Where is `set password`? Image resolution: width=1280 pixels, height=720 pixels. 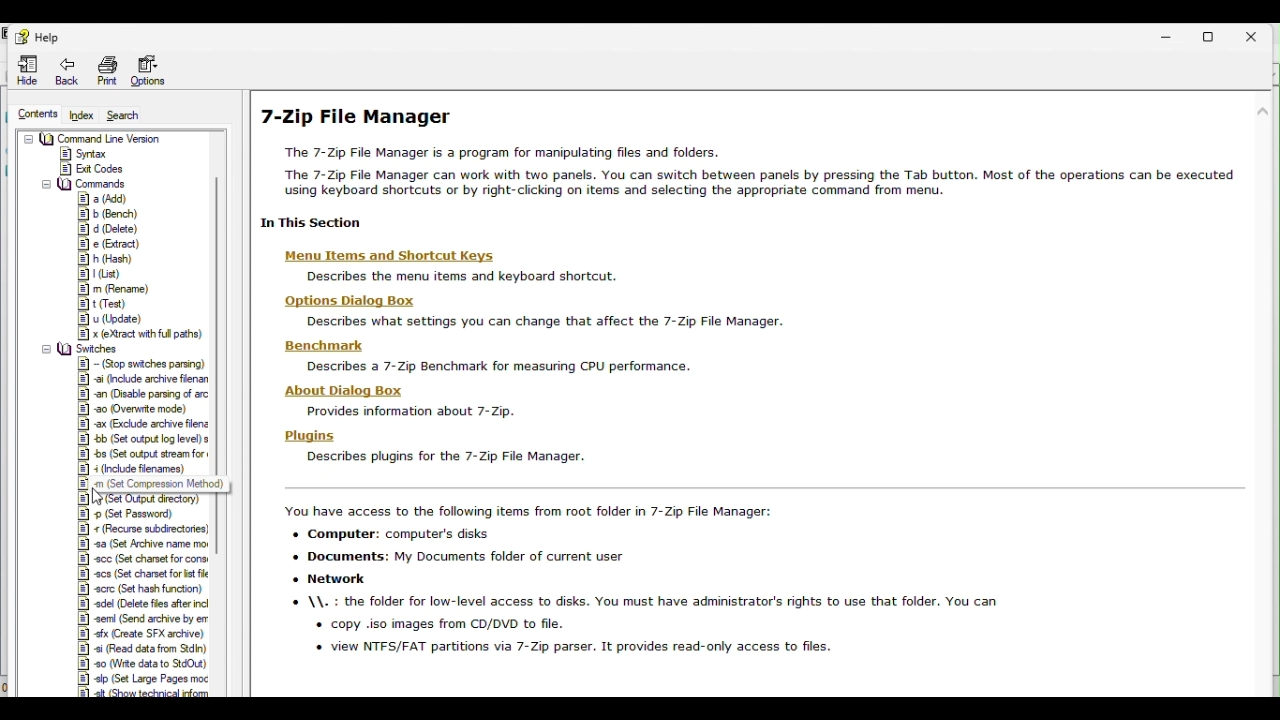 set password is located at coordinates (132, 514).